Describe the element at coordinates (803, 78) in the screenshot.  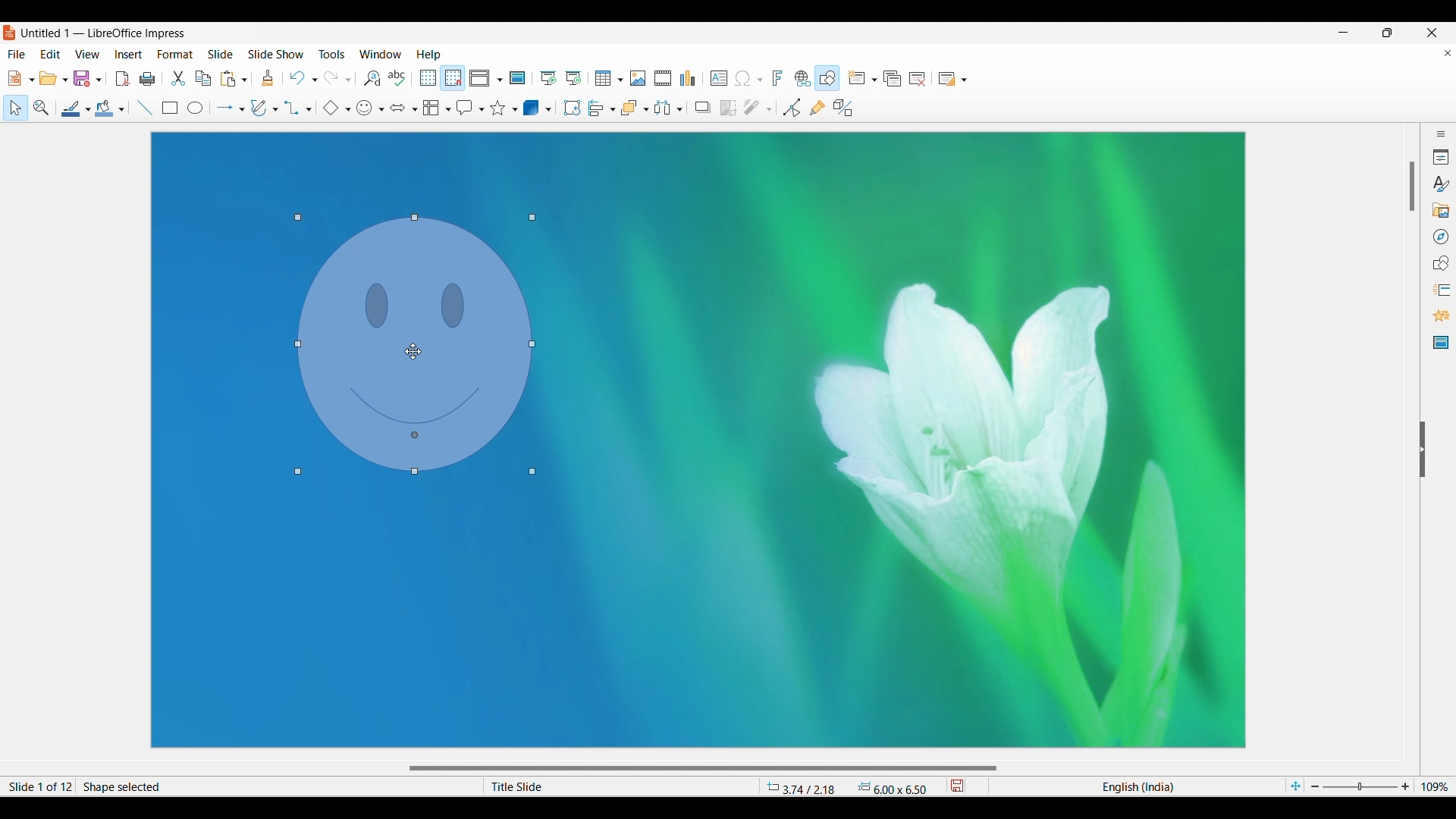
I see `Insert hyperlink` at that location.